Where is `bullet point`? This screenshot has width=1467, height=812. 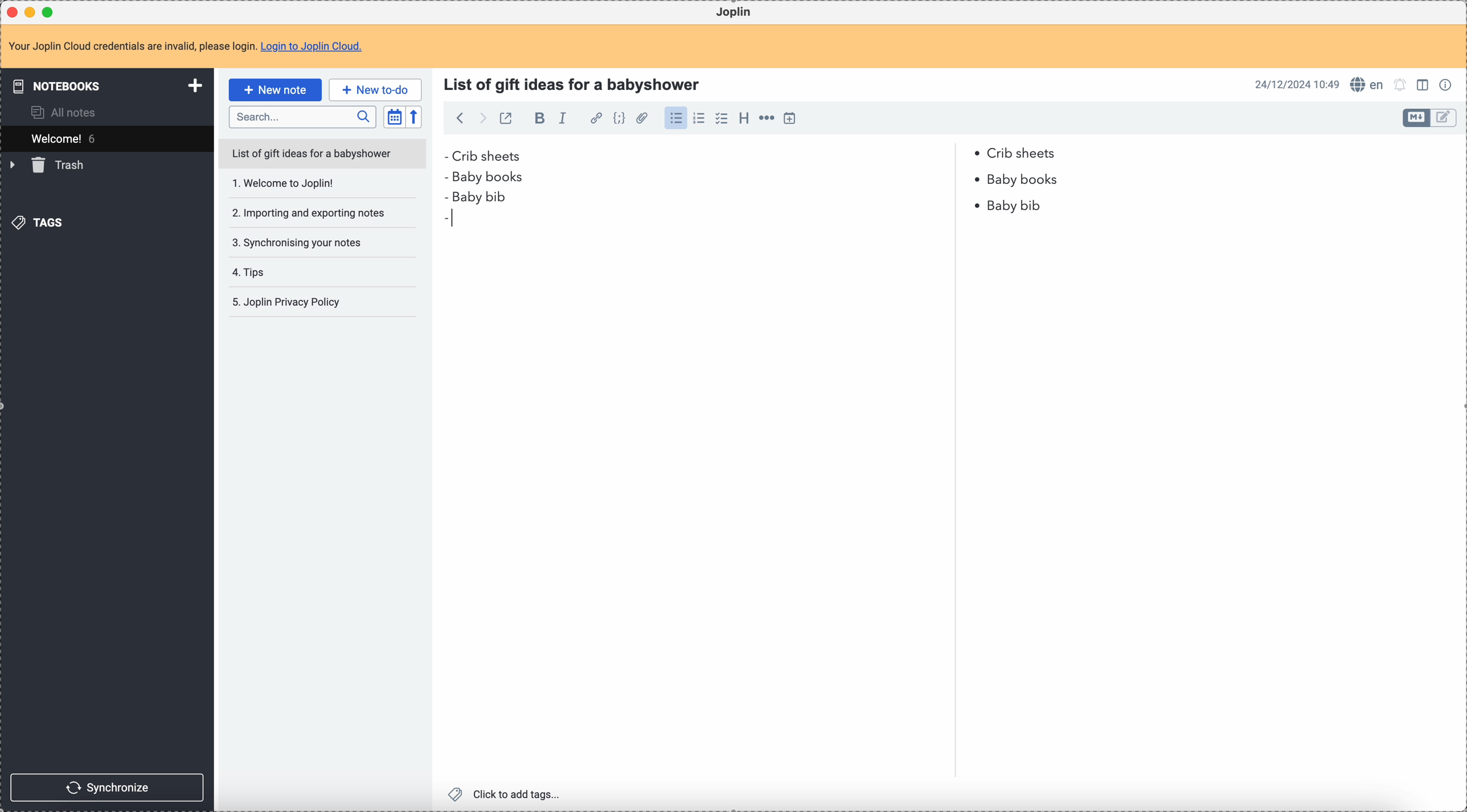 bullet point is located at coordinates (448, 175).